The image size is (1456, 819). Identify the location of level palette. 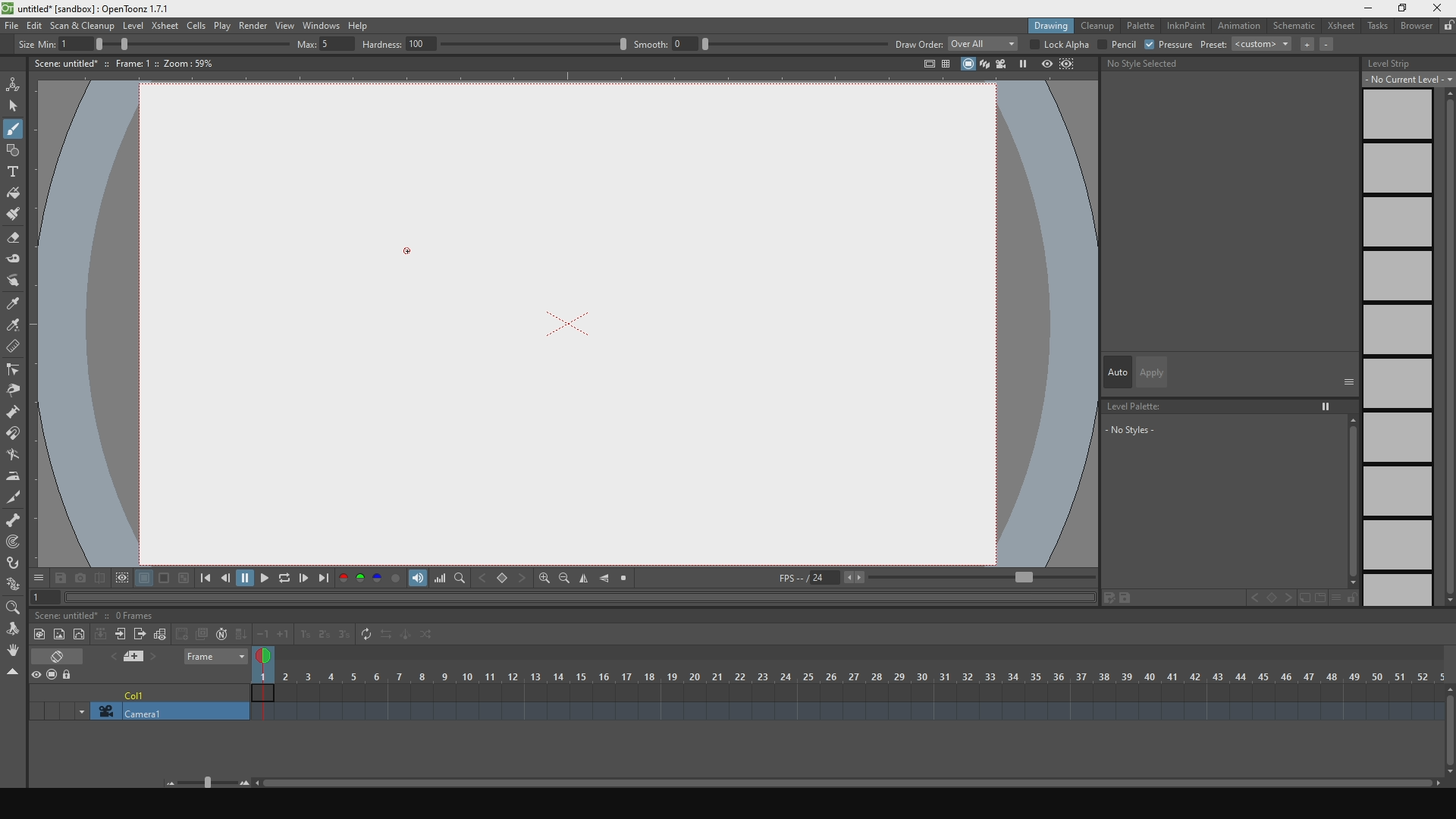
(1228, 405).